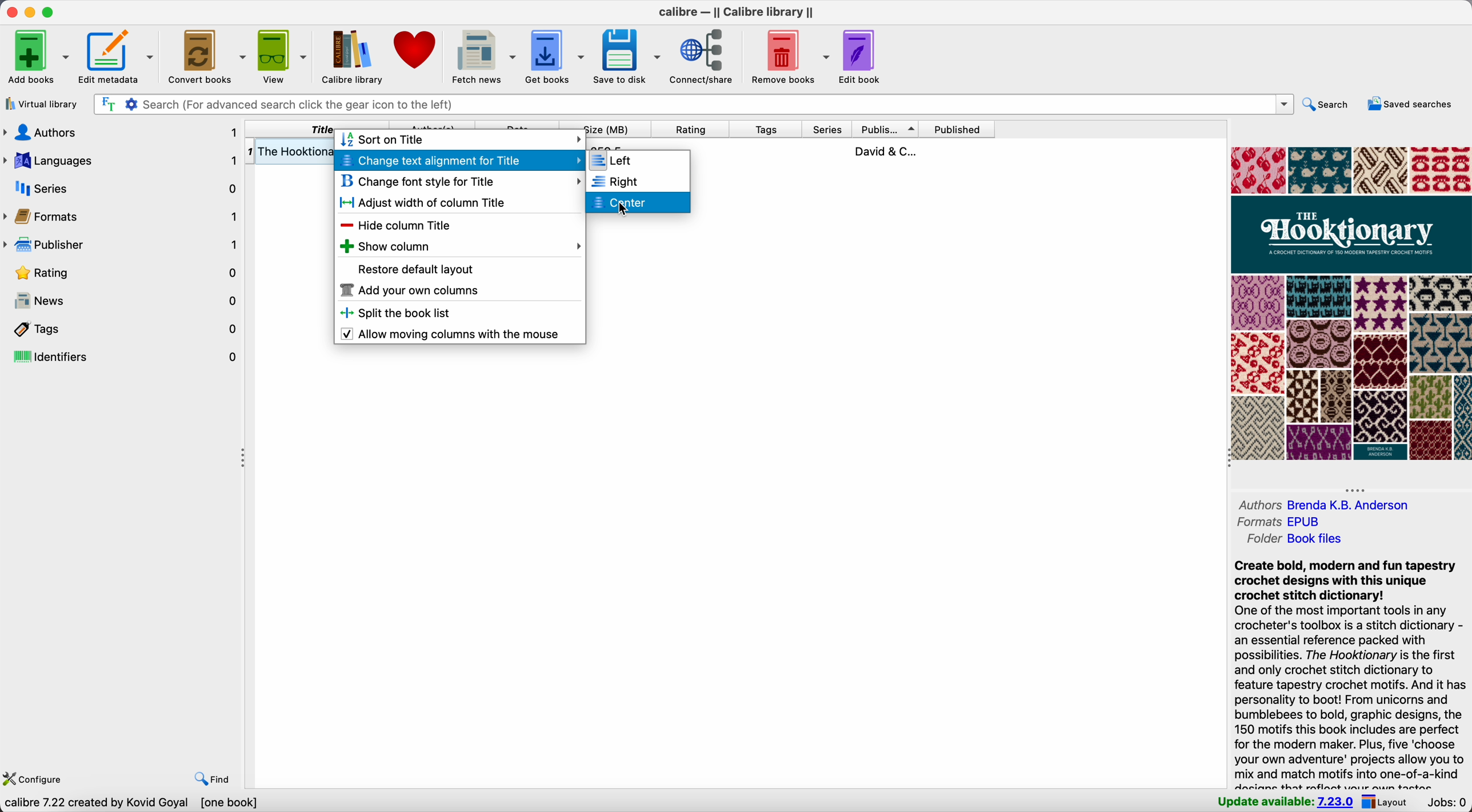  What do you see at coordinates (482, 55) in the screenshot?
I see `fetch news` at bounding box center [482, 55].